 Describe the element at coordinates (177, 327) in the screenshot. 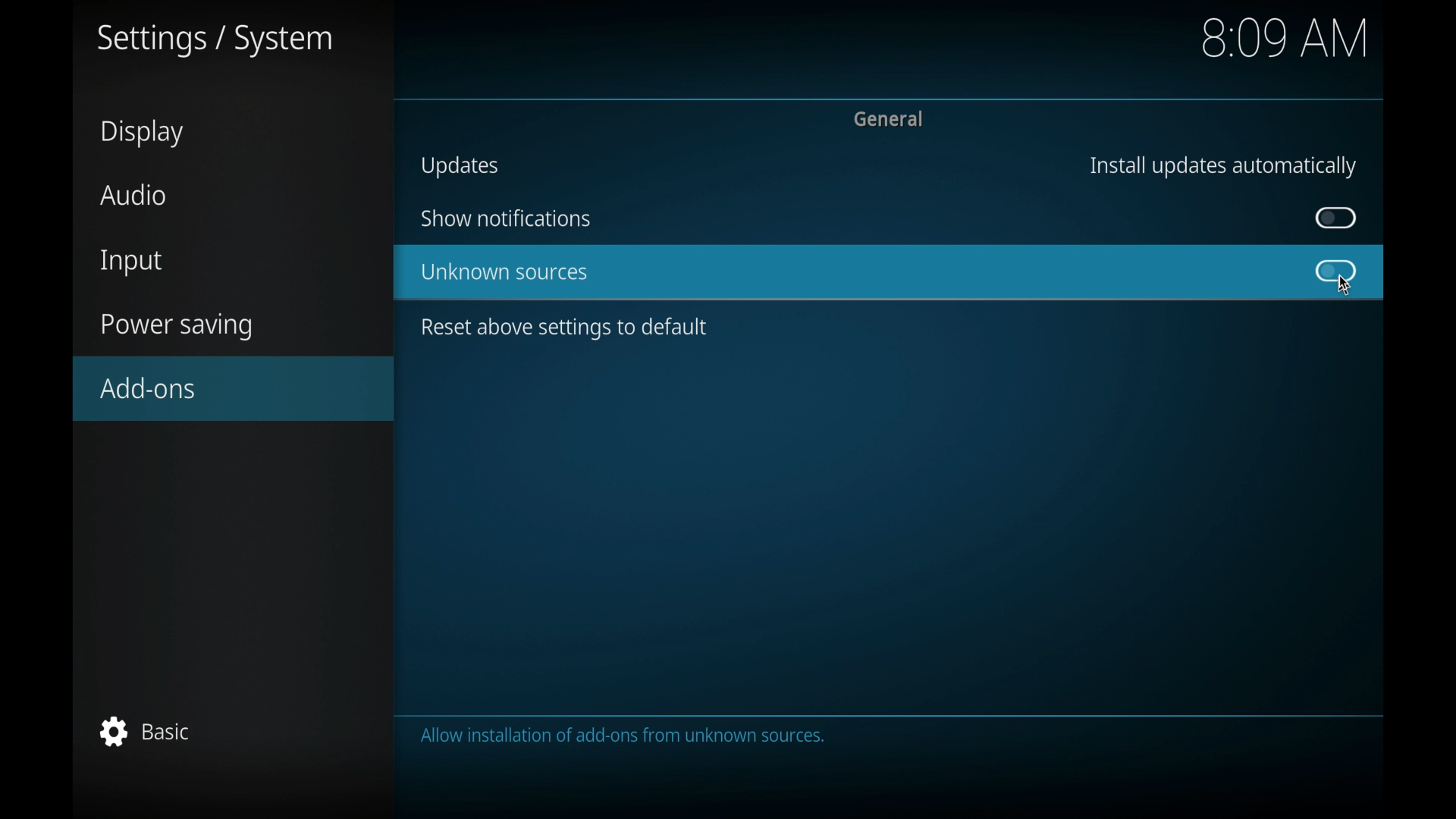

I see `power saving` at that location.